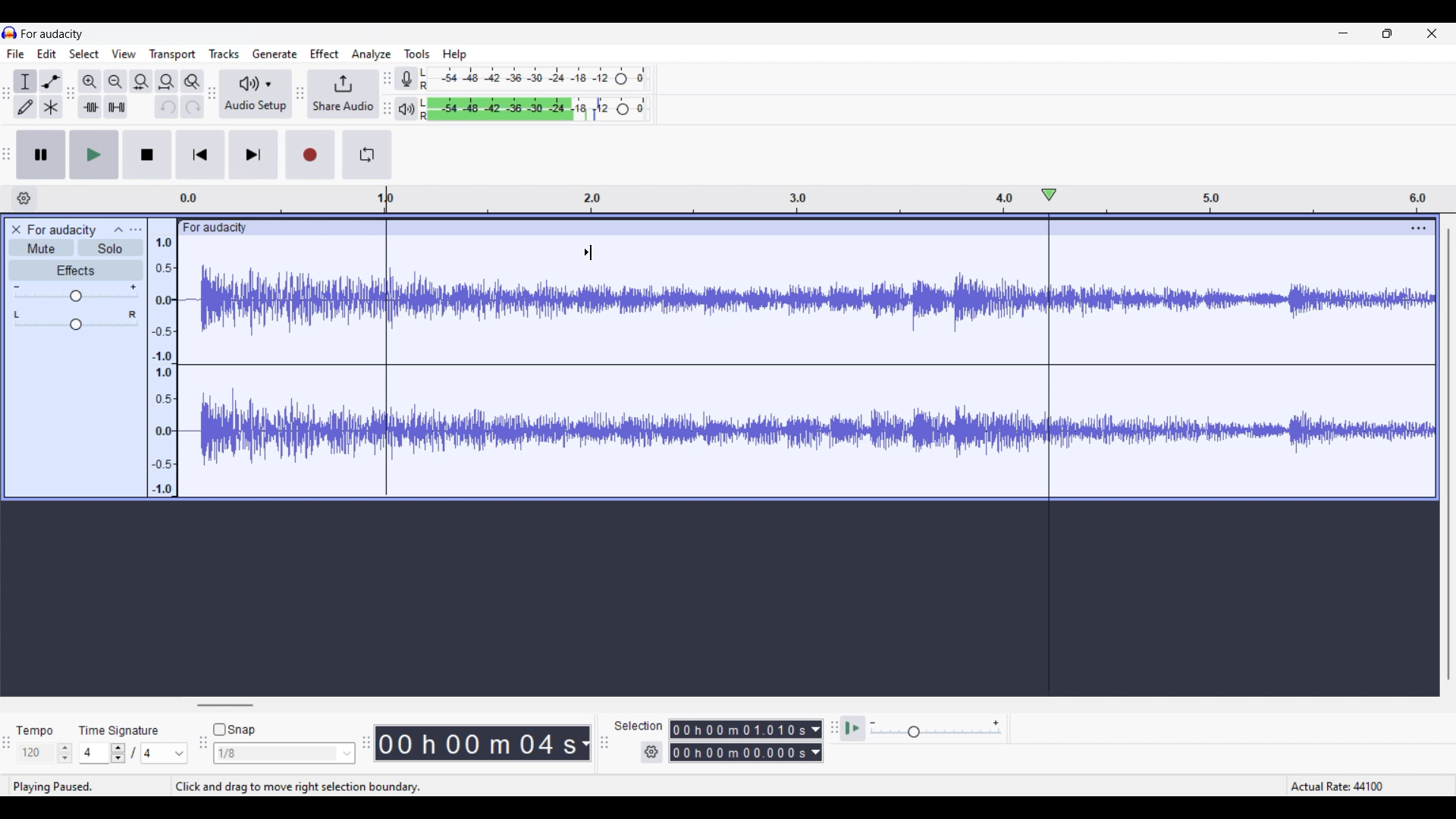  I want to click on Zoom in, so click(90, 82).